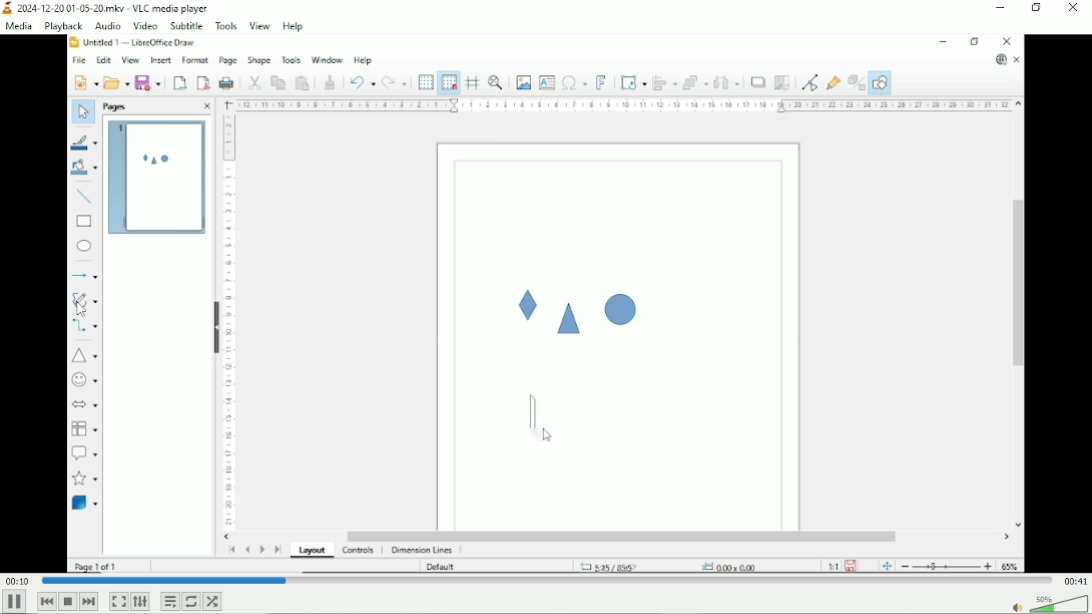 Image resolution: width=1092 pixels, height=614 pixels. I want to click on Pause, so click(14, 602).